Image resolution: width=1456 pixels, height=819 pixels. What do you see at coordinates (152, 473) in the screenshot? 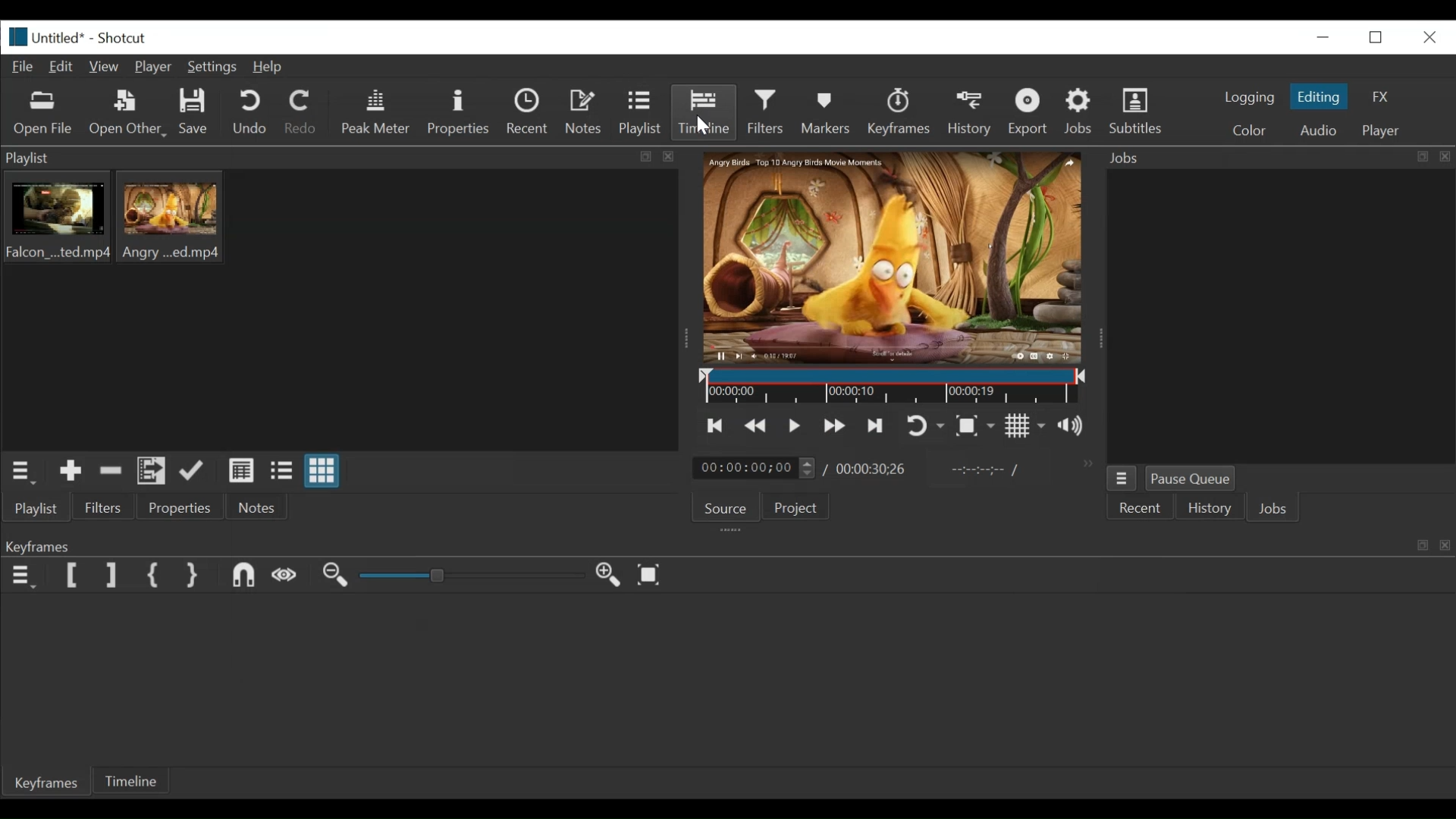
I see `Add files to playlist` at bounding box center [152, 473].